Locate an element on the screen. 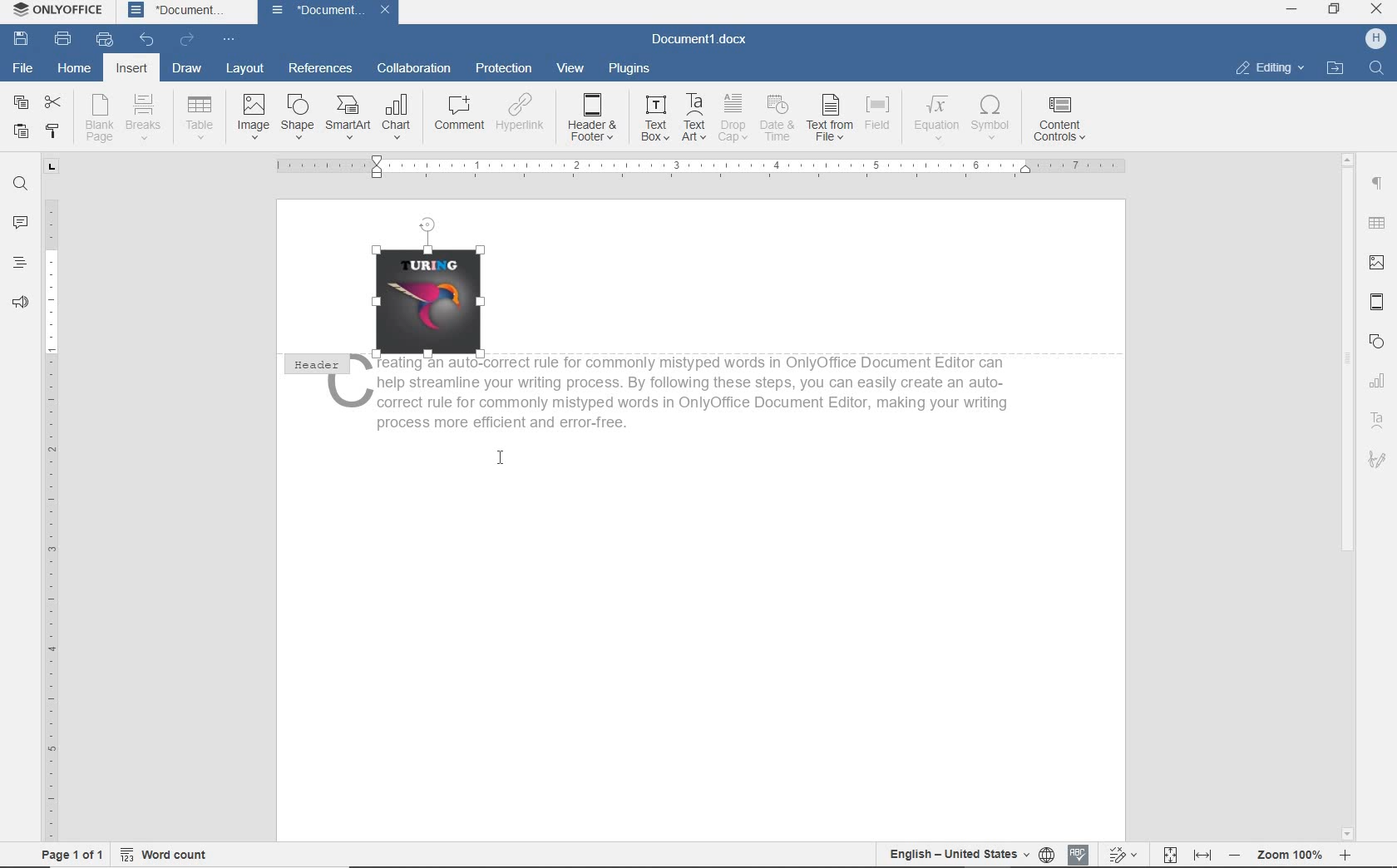 The height and width of the screenshot is (868, 1397).  is located at coordinates (348, 115).